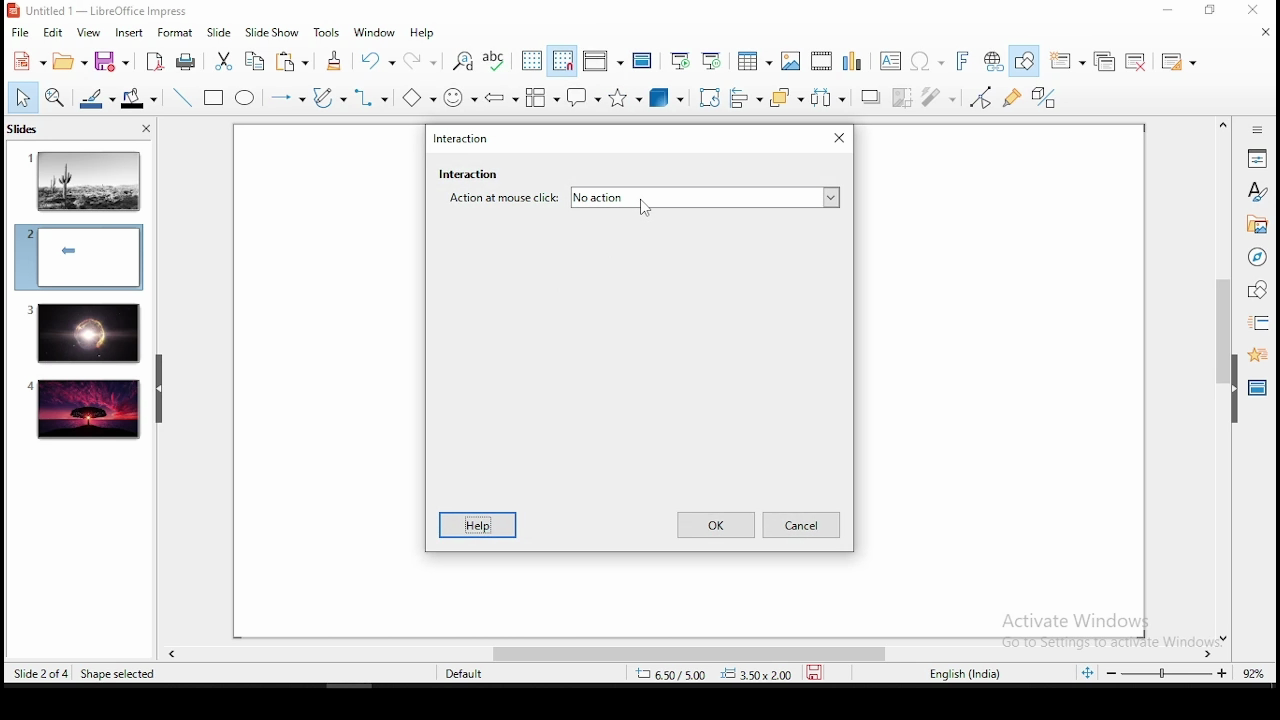  What do you see at coordinates (423, 58) in the screenshot?
I see `redo` at bounding box center [423, 58].